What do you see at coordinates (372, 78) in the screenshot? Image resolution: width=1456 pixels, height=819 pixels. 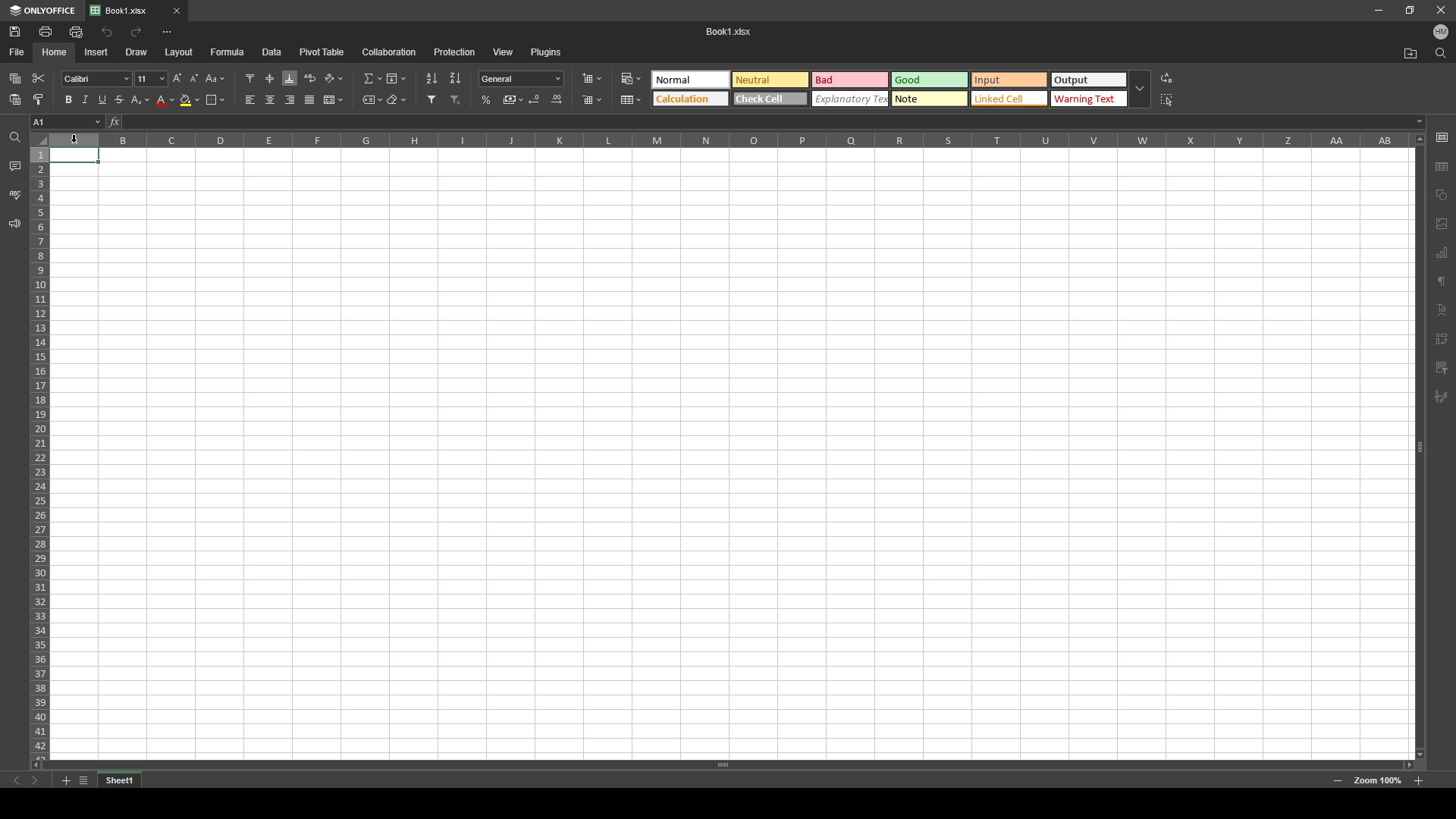 I see `summation` at bounding box center [372, 78].